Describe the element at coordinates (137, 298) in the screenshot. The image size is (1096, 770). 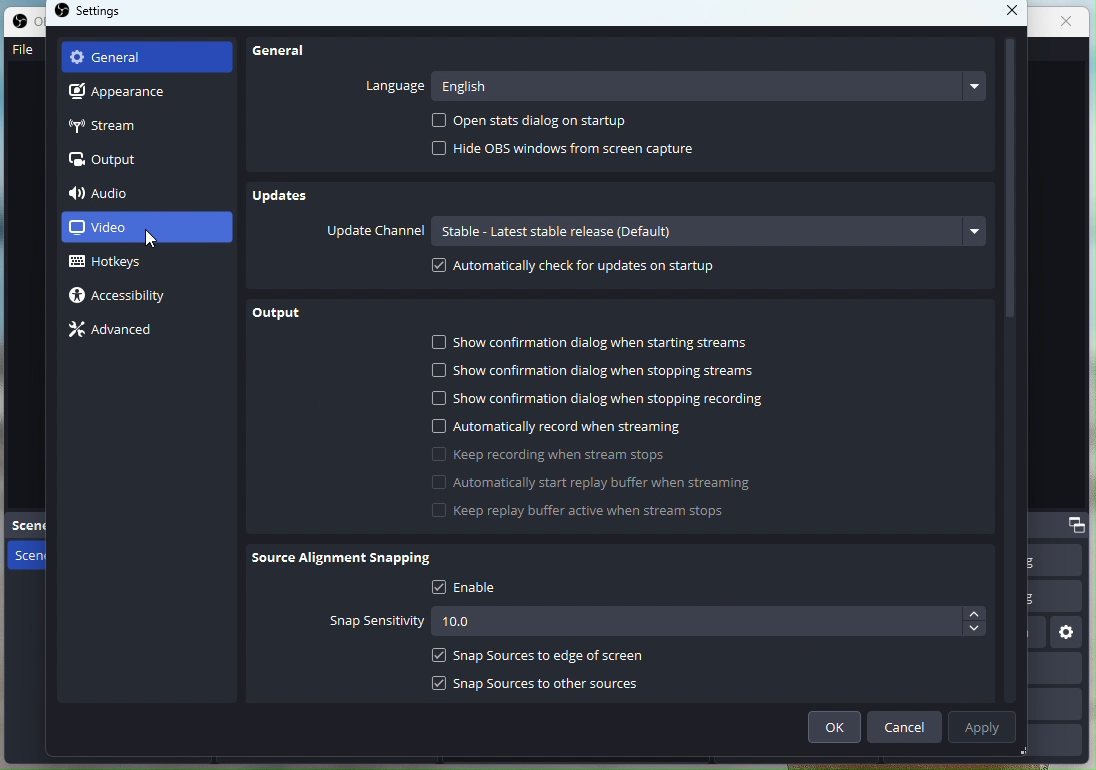
I see `Accesibility` at that location.